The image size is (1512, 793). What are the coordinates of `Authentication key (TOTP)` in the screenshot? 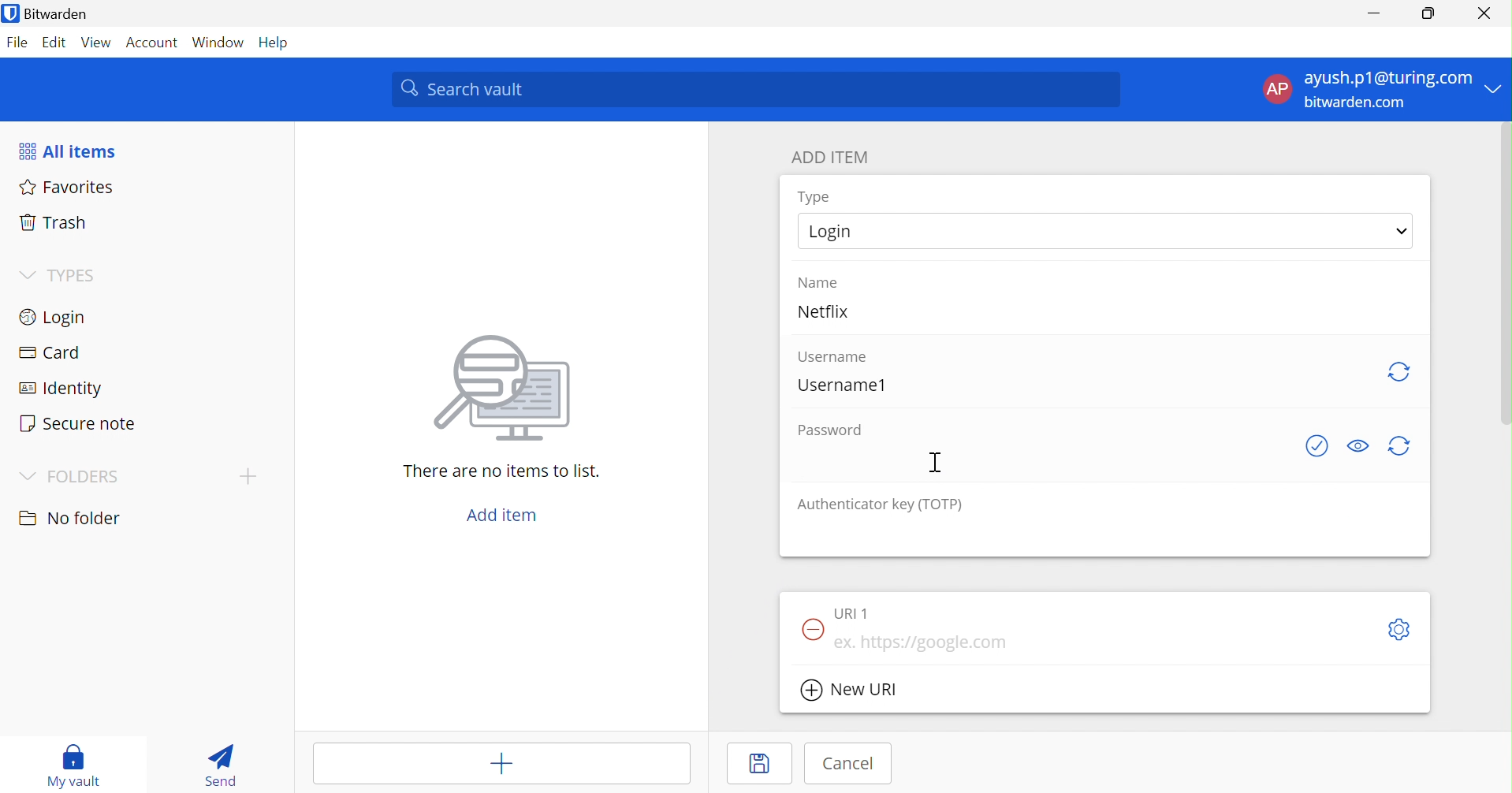 It's located at (880, 506).